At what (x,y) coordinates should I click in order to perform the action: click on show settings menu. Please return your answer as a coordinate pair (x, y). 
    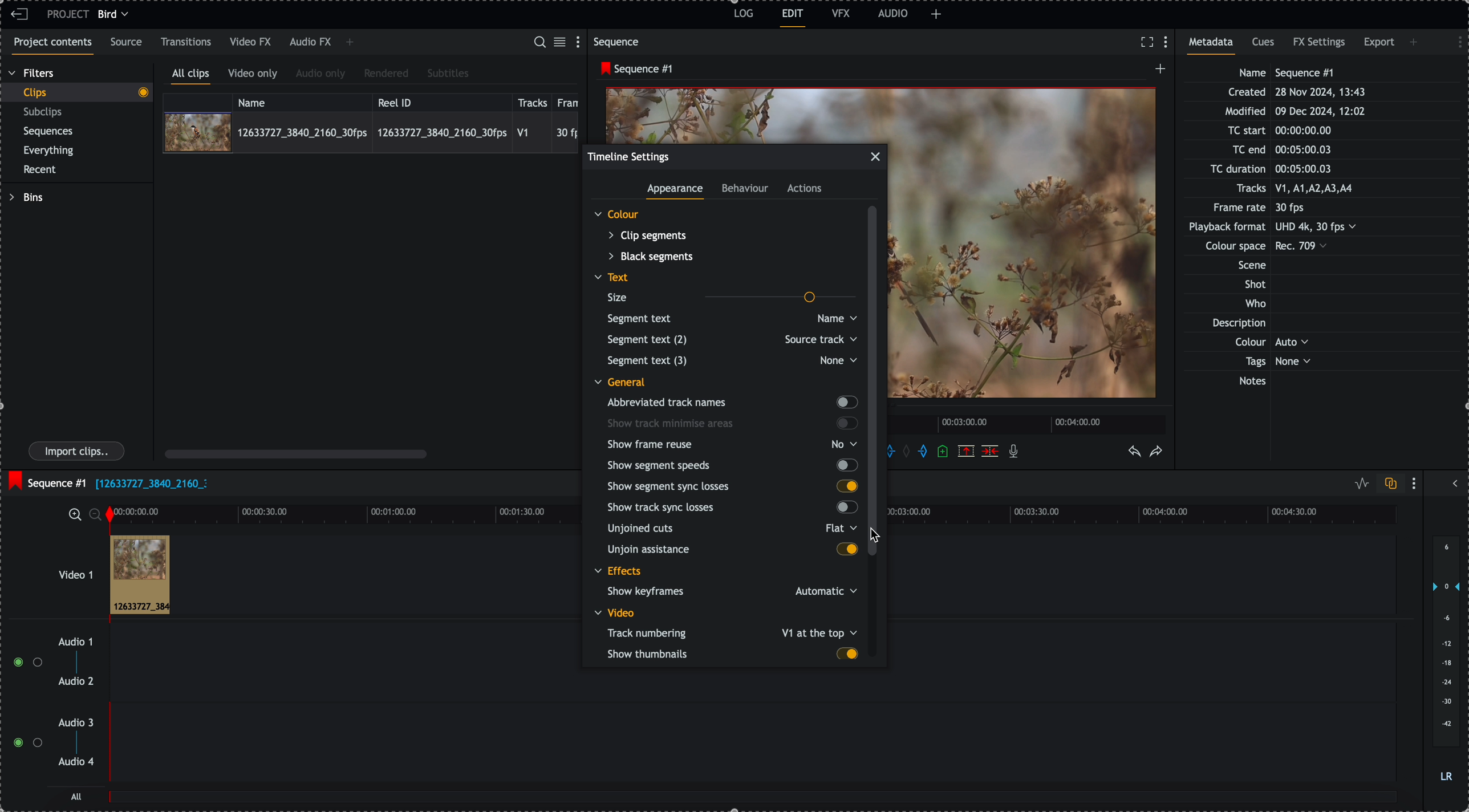
    Looking at the image, I should click on (1454, 40).